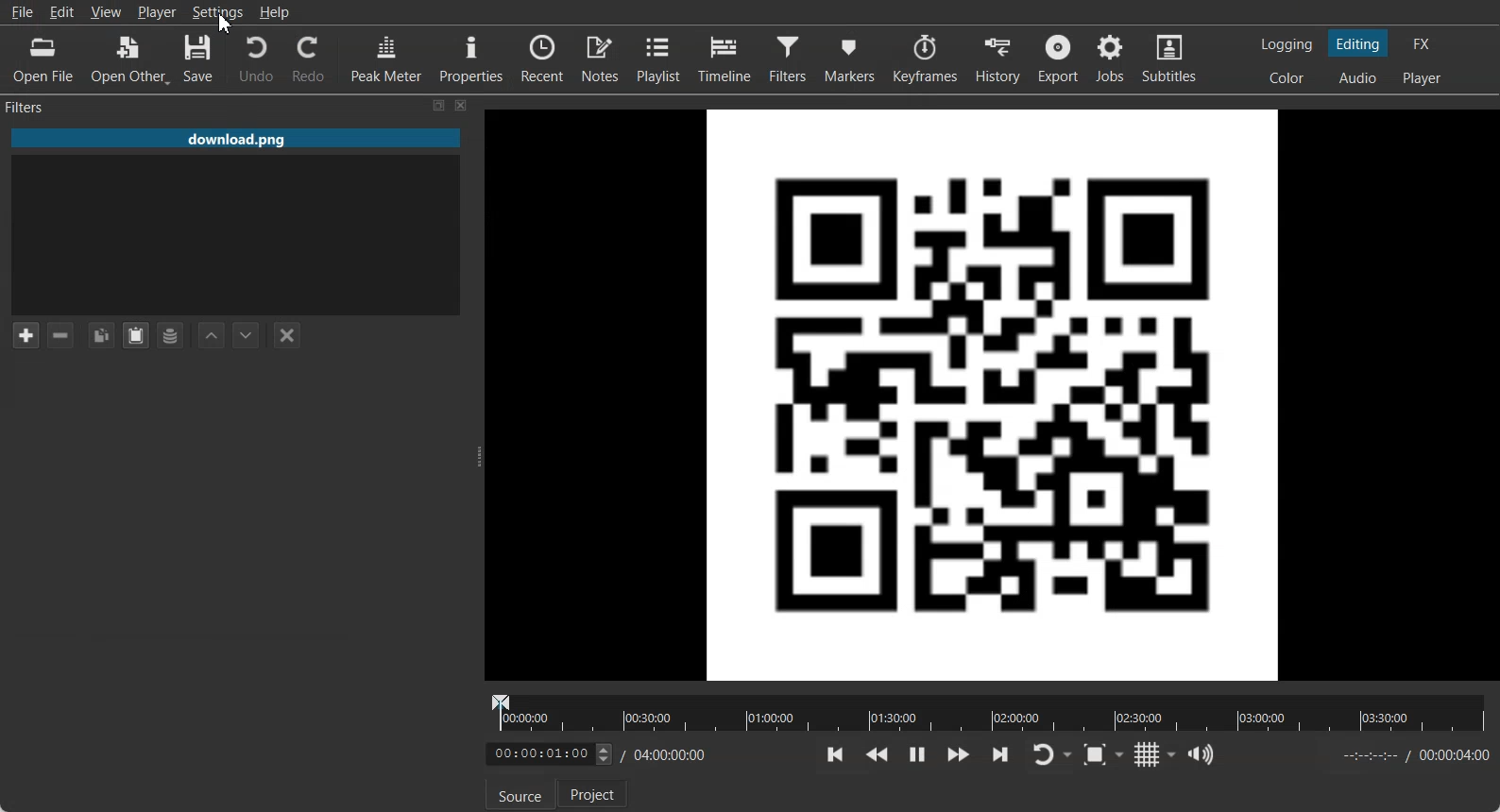 The image size is (1500, 812). What do you see at coordinates (1156, 754) in the screenshot?
I see `Toggle grid display` at bounding box center [1156, 754].